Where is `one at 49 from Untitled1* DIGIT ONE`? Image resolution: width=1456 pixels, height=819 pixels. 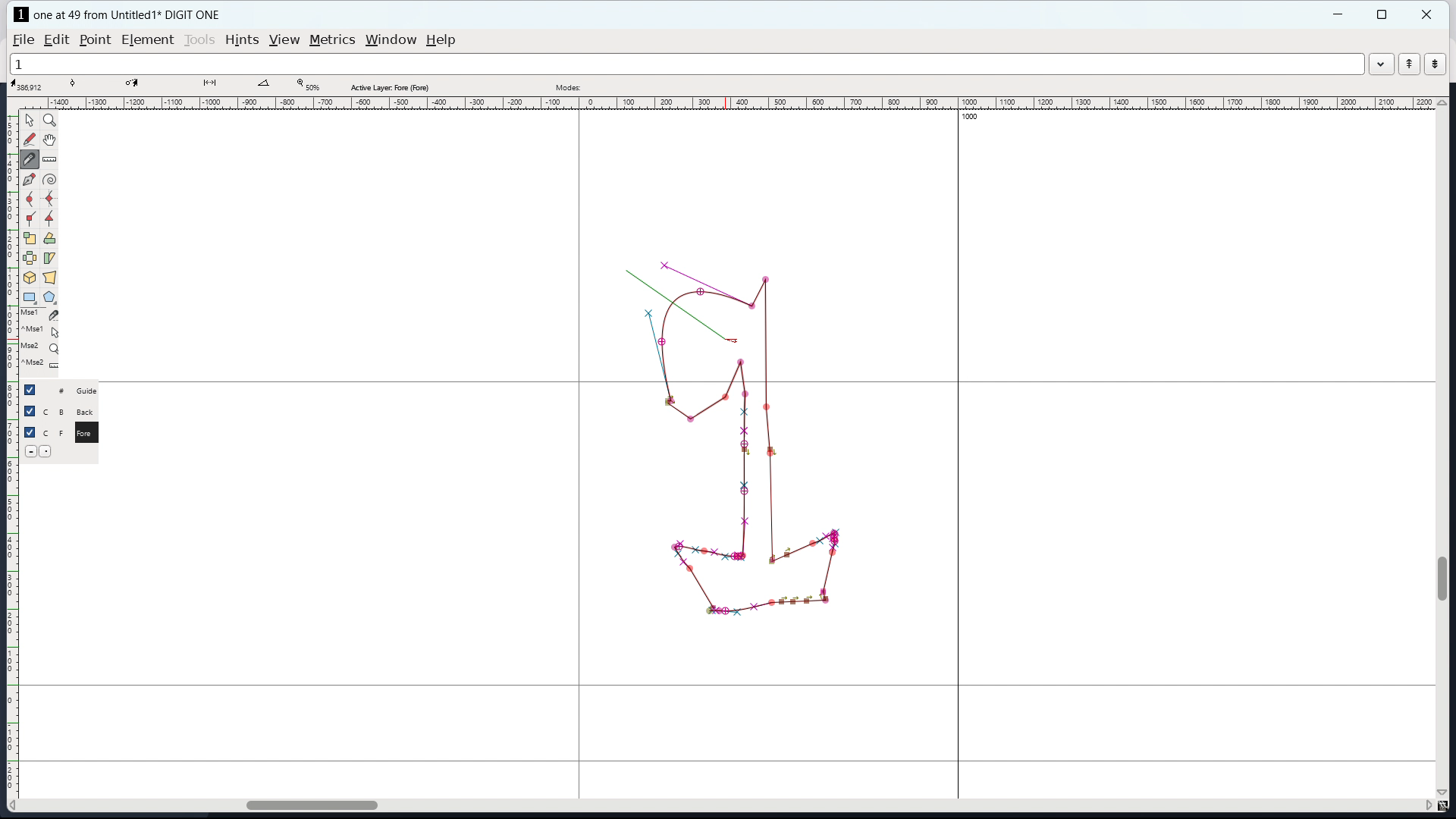 one at 49 from Untitled1* DIGIT ONE is located at coordinates (135, 14).